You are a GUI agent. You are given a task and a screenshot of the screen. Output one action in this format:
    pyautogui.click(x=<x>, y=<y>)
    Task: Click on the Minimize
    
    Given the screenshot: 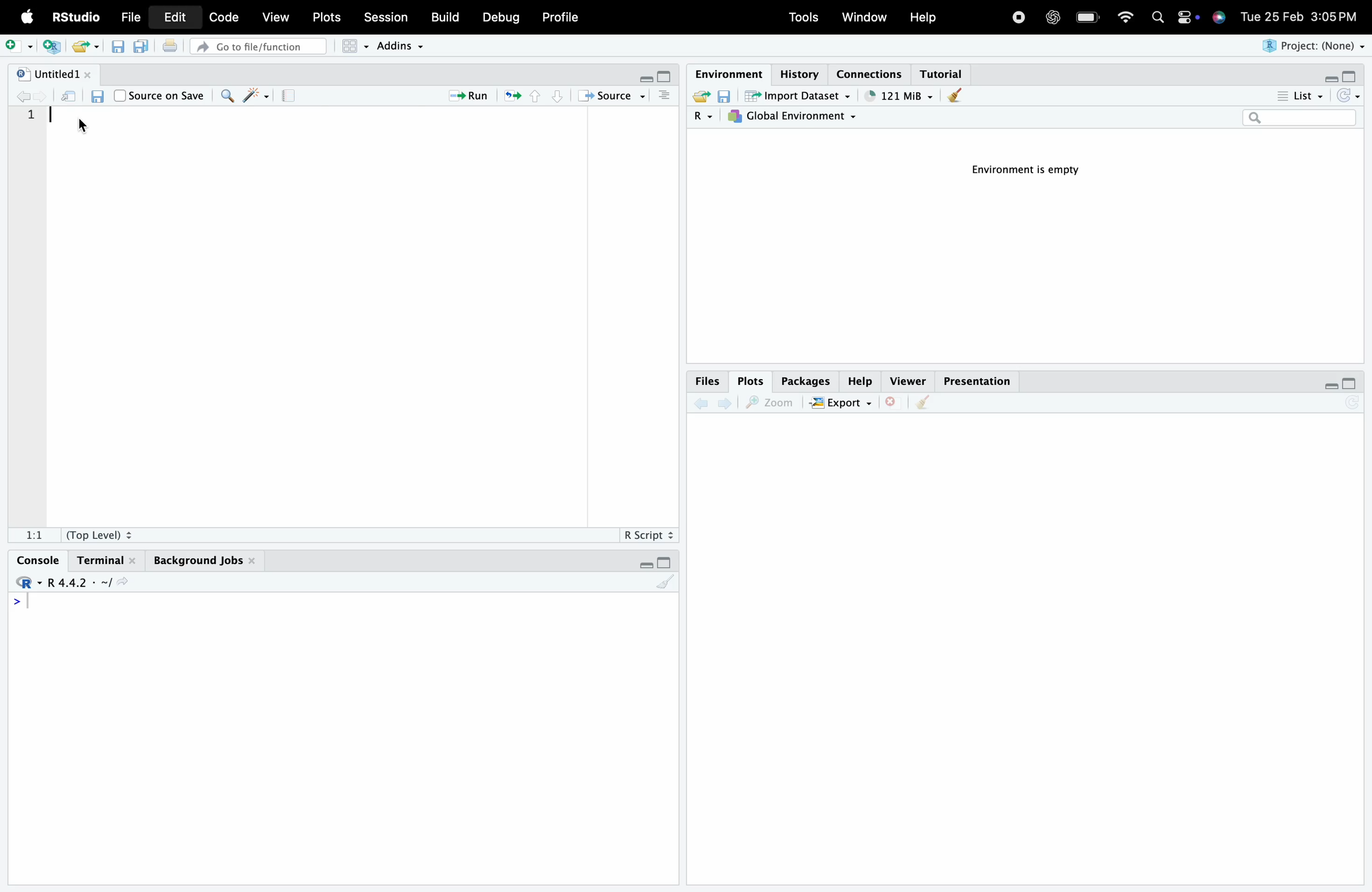 What is the action you would take?
    pyautogui.click(x=647, y=79)
    